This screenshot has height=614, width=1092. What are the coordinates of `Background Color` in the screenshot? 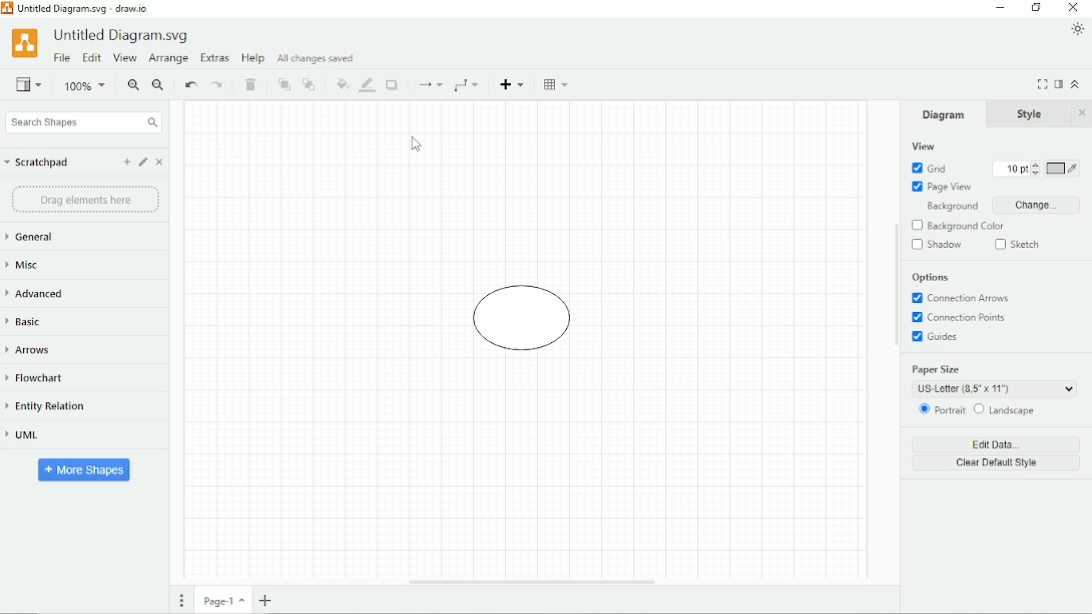 It's located at (957, 226).